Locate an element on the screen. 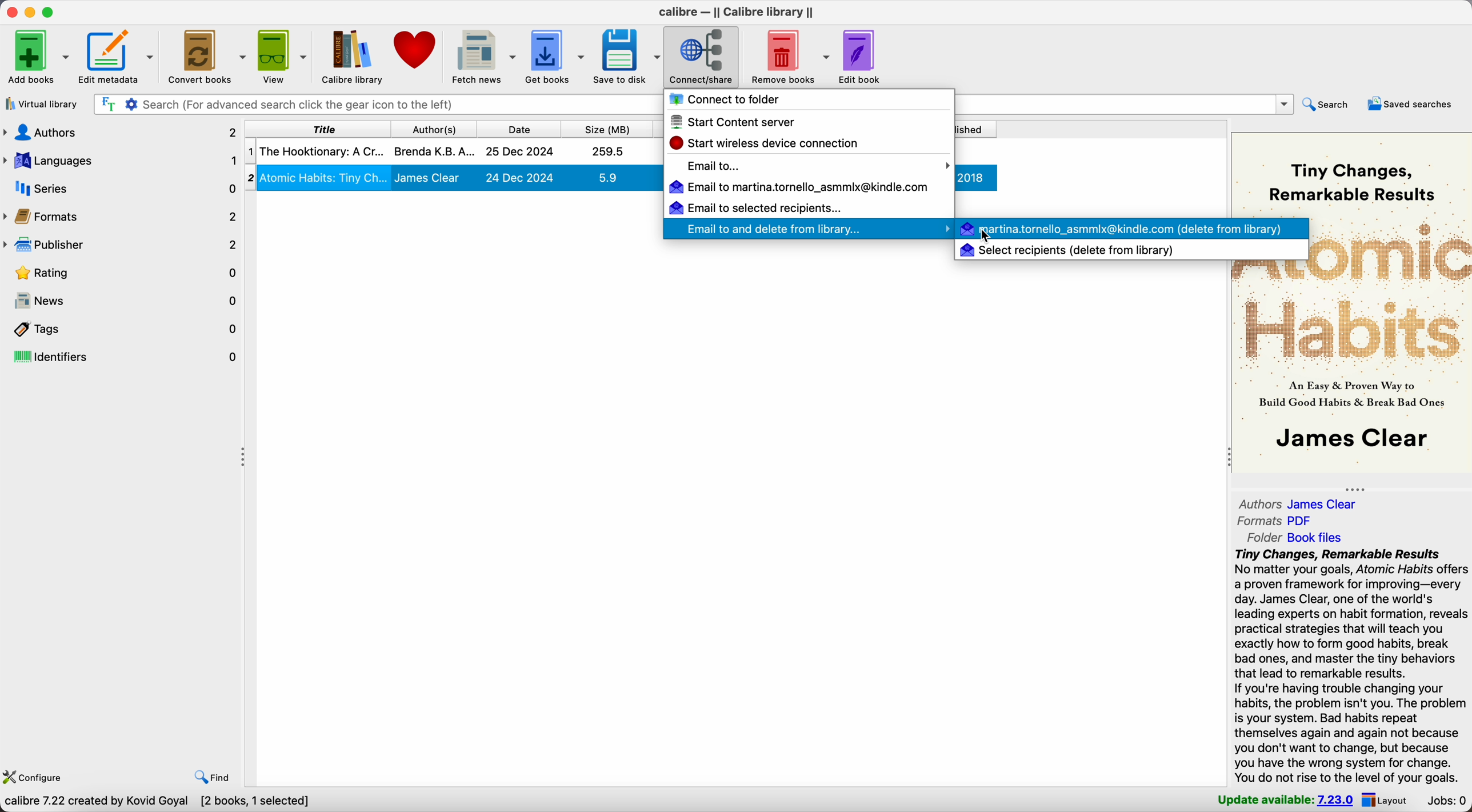 The image size is (1472, 812). click on email to and delete from library is located at coordinates (801, 229).